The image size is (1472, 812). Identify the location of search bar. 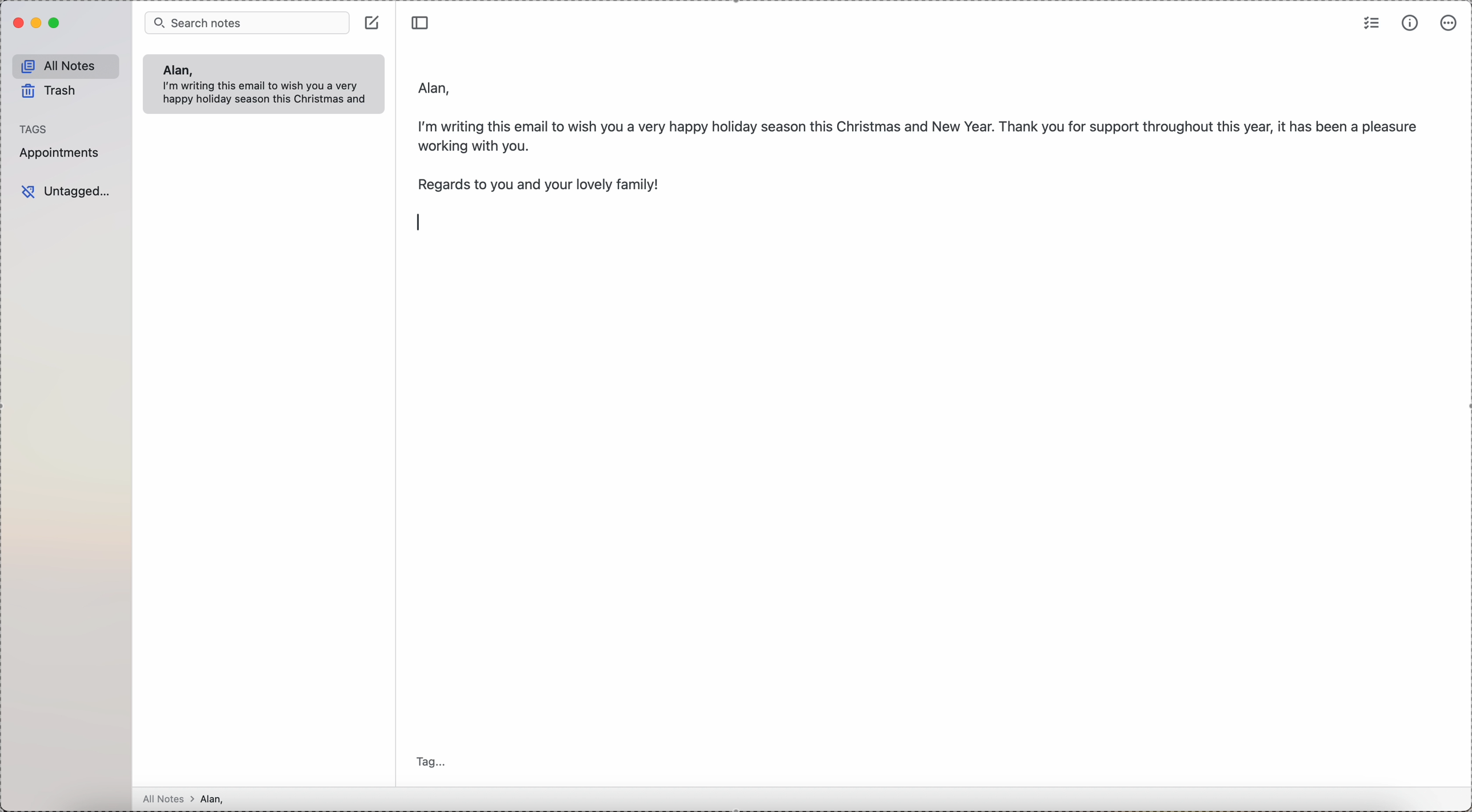
(247, 22).